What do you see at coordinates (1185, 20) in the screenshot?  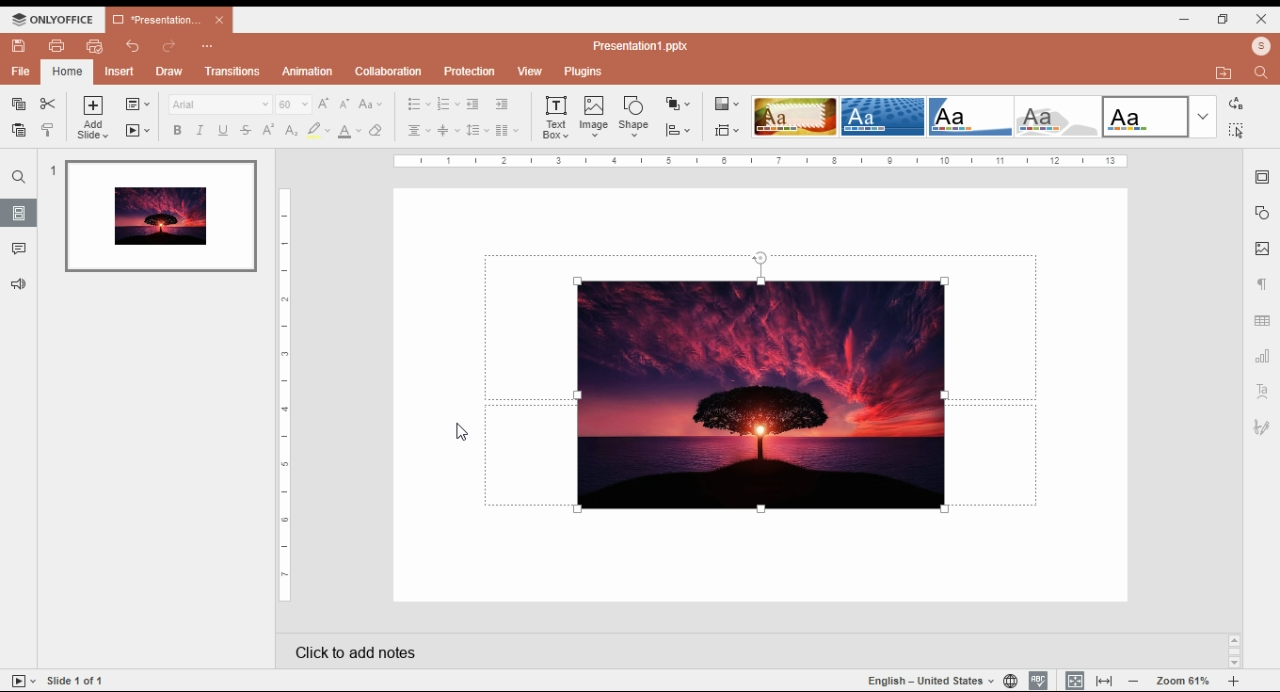 I see `minimize` at bounding box center [1185, 20].